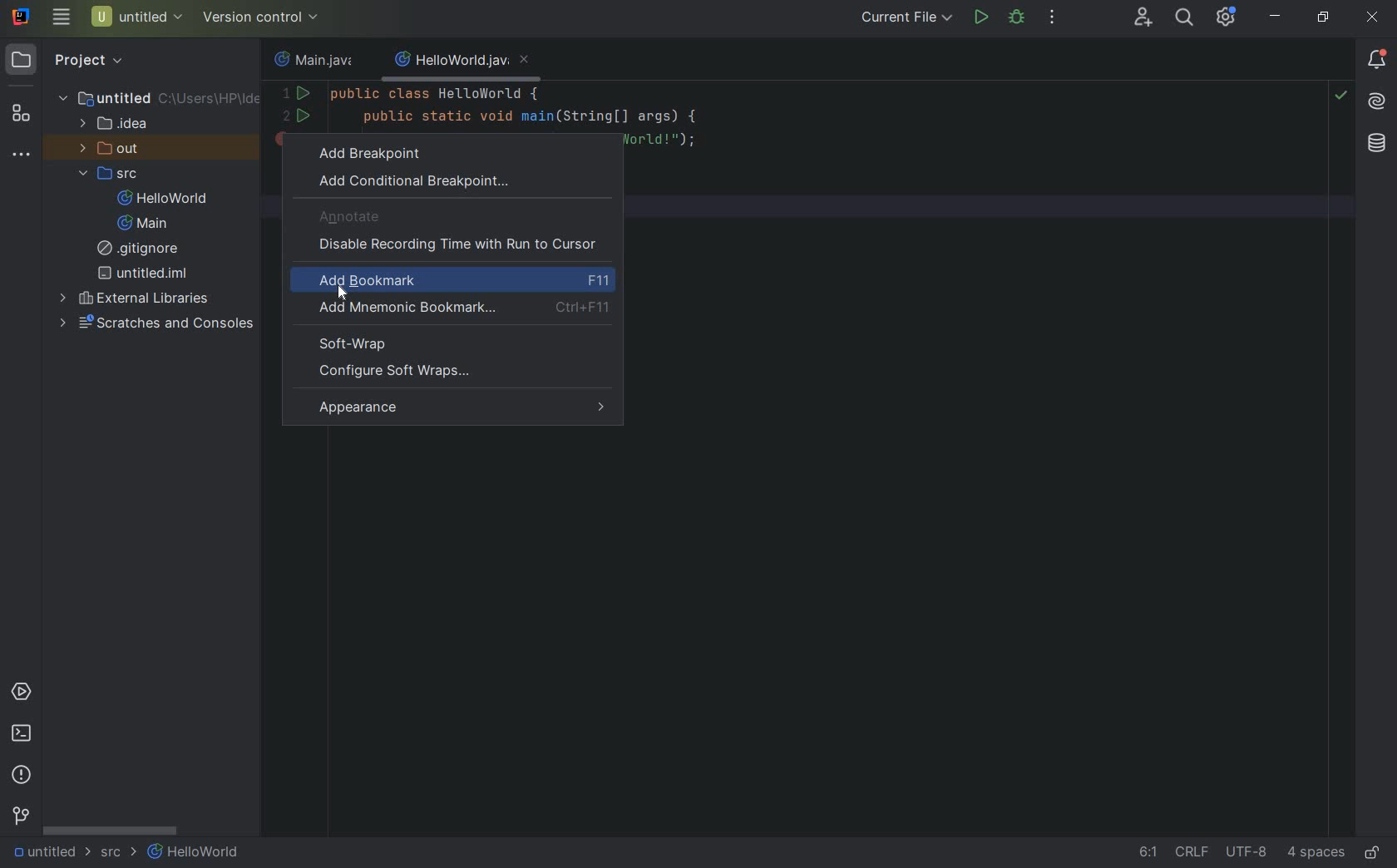  I want to click on configure version control, so click(259, 17).